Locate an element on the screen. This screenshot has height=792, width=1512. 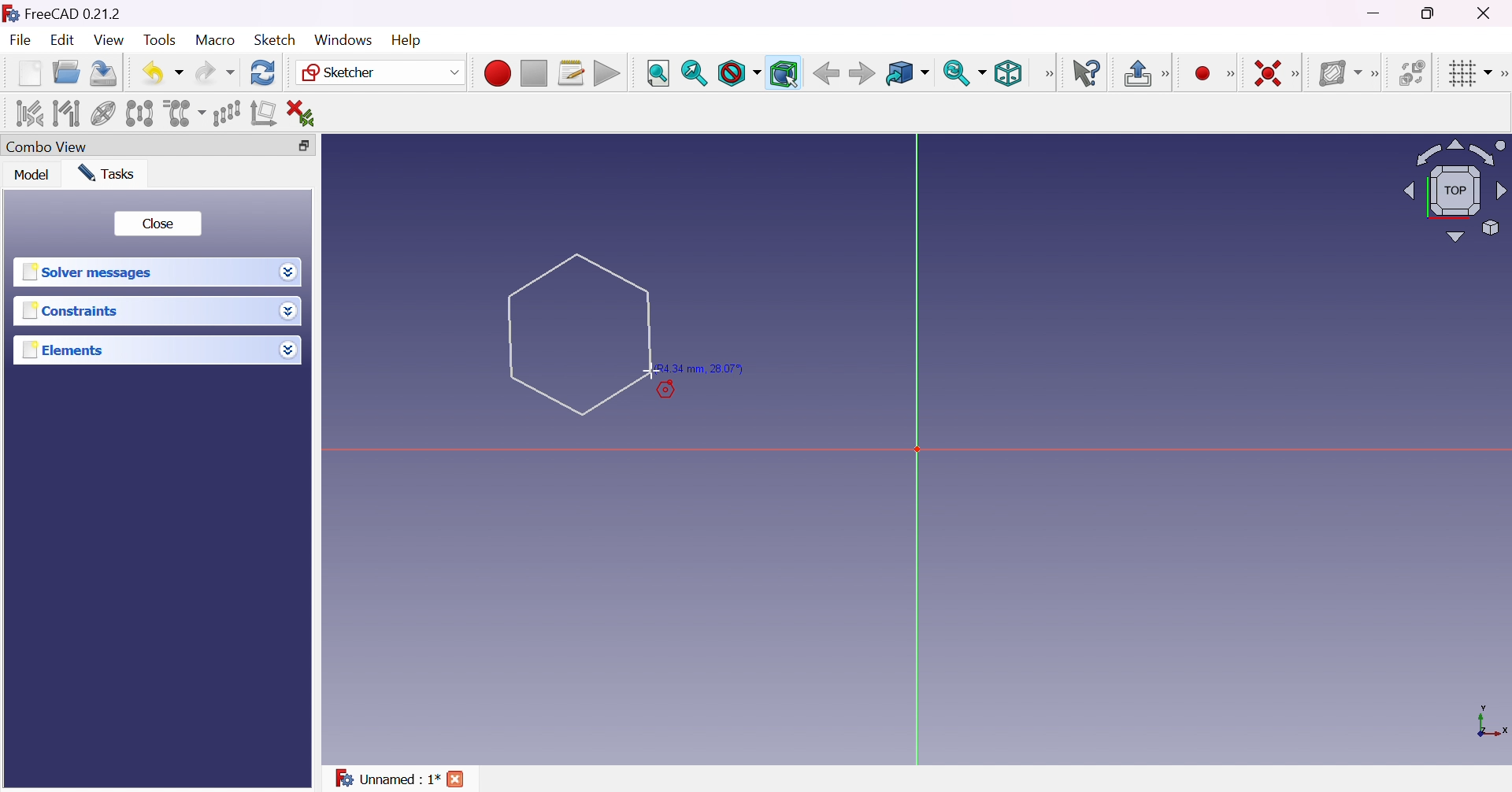
Constrain coincident is located at coordinates (1266, 73).